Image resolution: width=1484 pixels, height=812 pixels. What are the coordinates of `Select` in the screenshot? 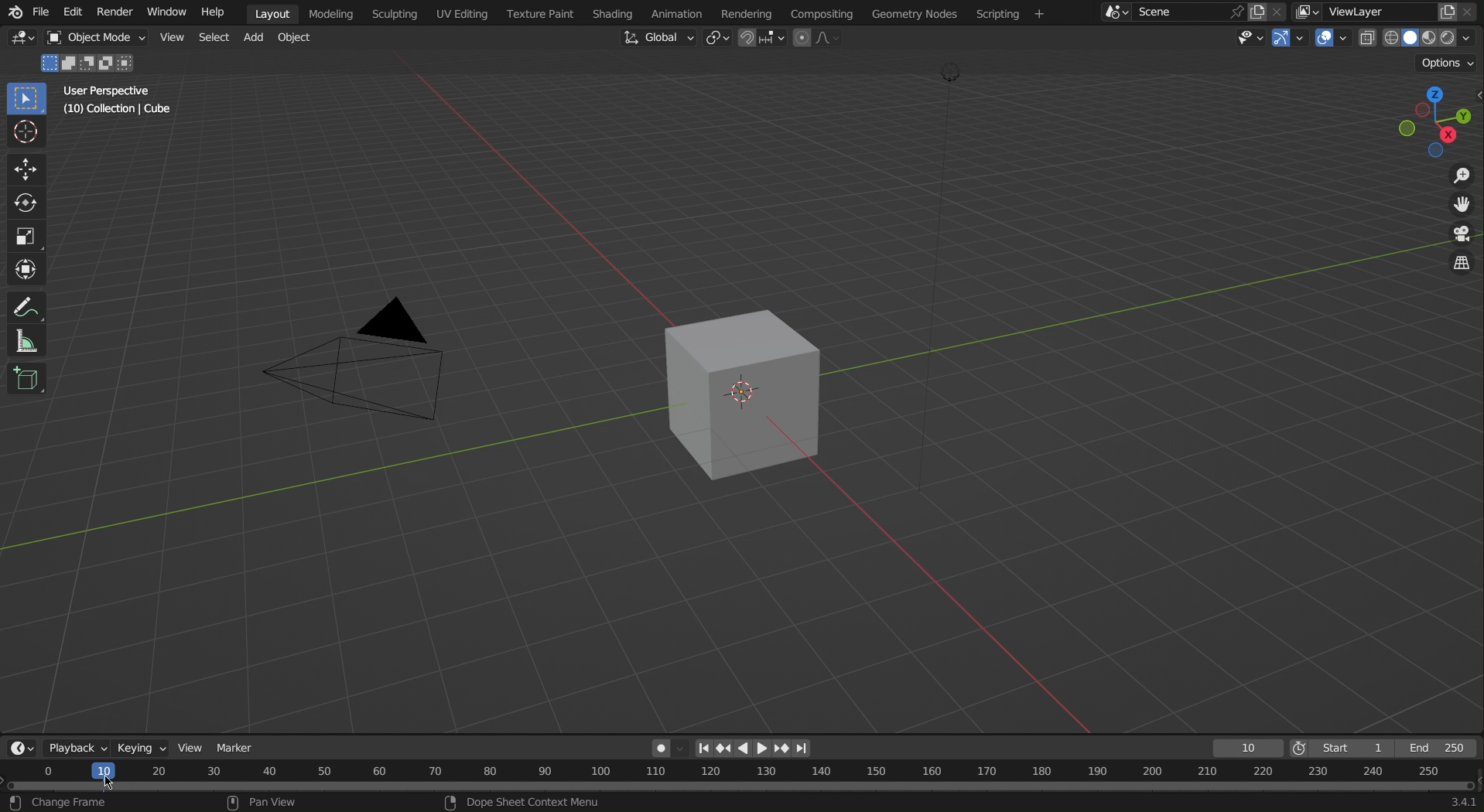 It's located at (216, 38).